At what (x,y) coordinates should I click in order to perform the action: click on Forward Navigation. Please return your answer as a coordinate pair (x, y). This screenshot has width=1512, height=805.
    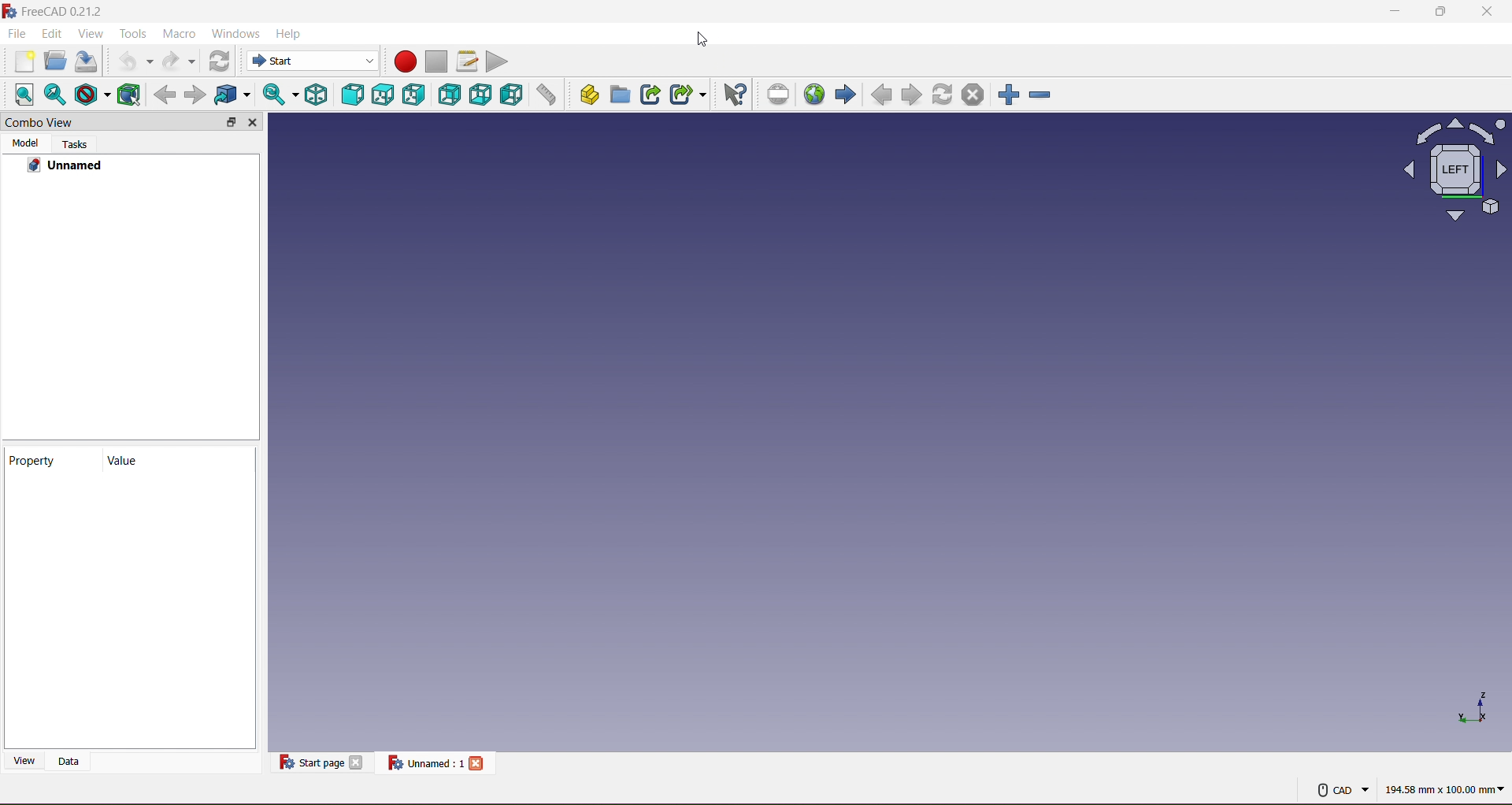
    Looking at the image, I should click on (845, 95).